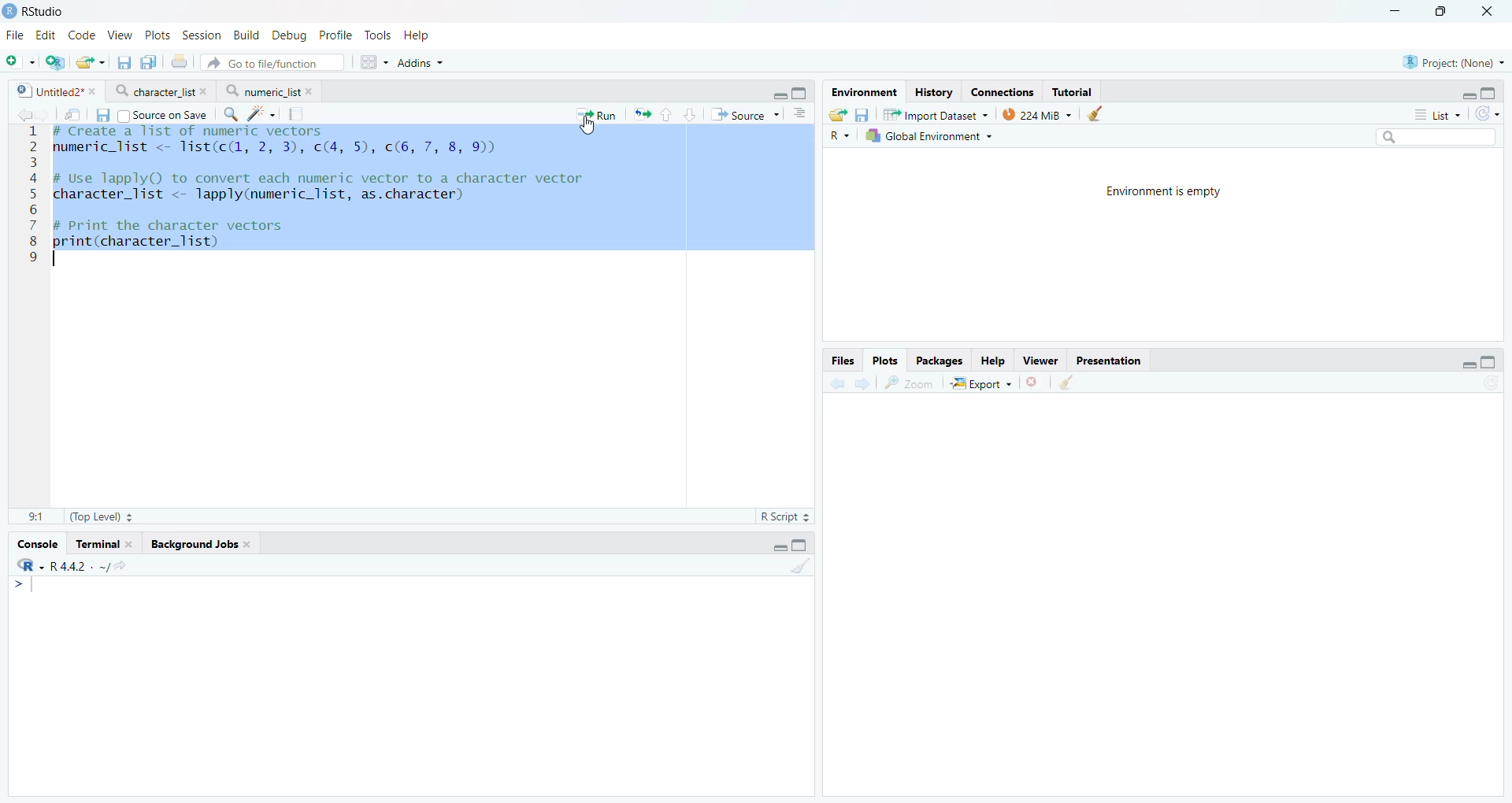 This screenshot has height=803, width=1512. Describe the element at coordinates (668, 113) in the screenshot. I see `Go to previous section` at that location.